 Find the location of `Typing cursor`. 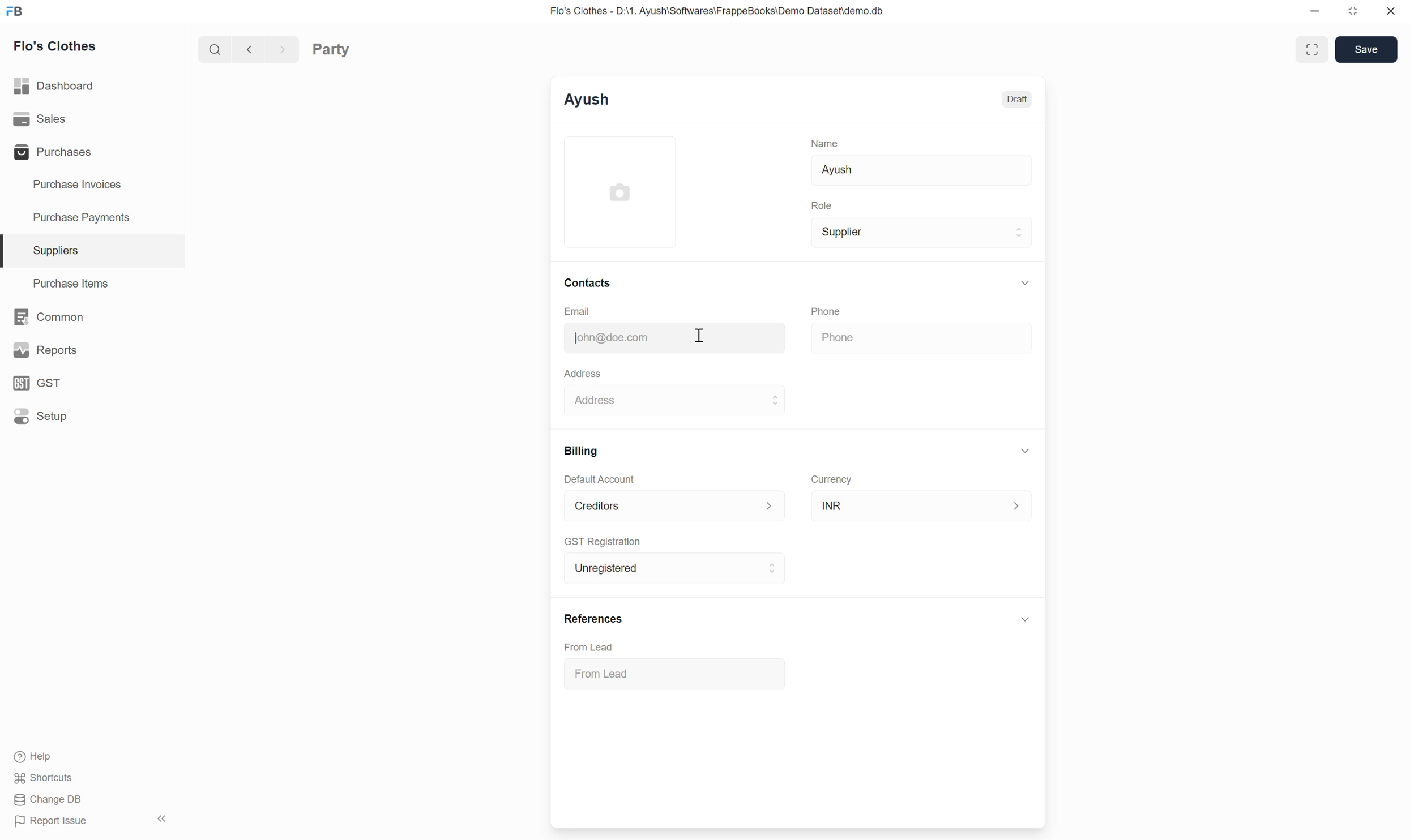

Typing cursor is located at coordinates (575, 337).